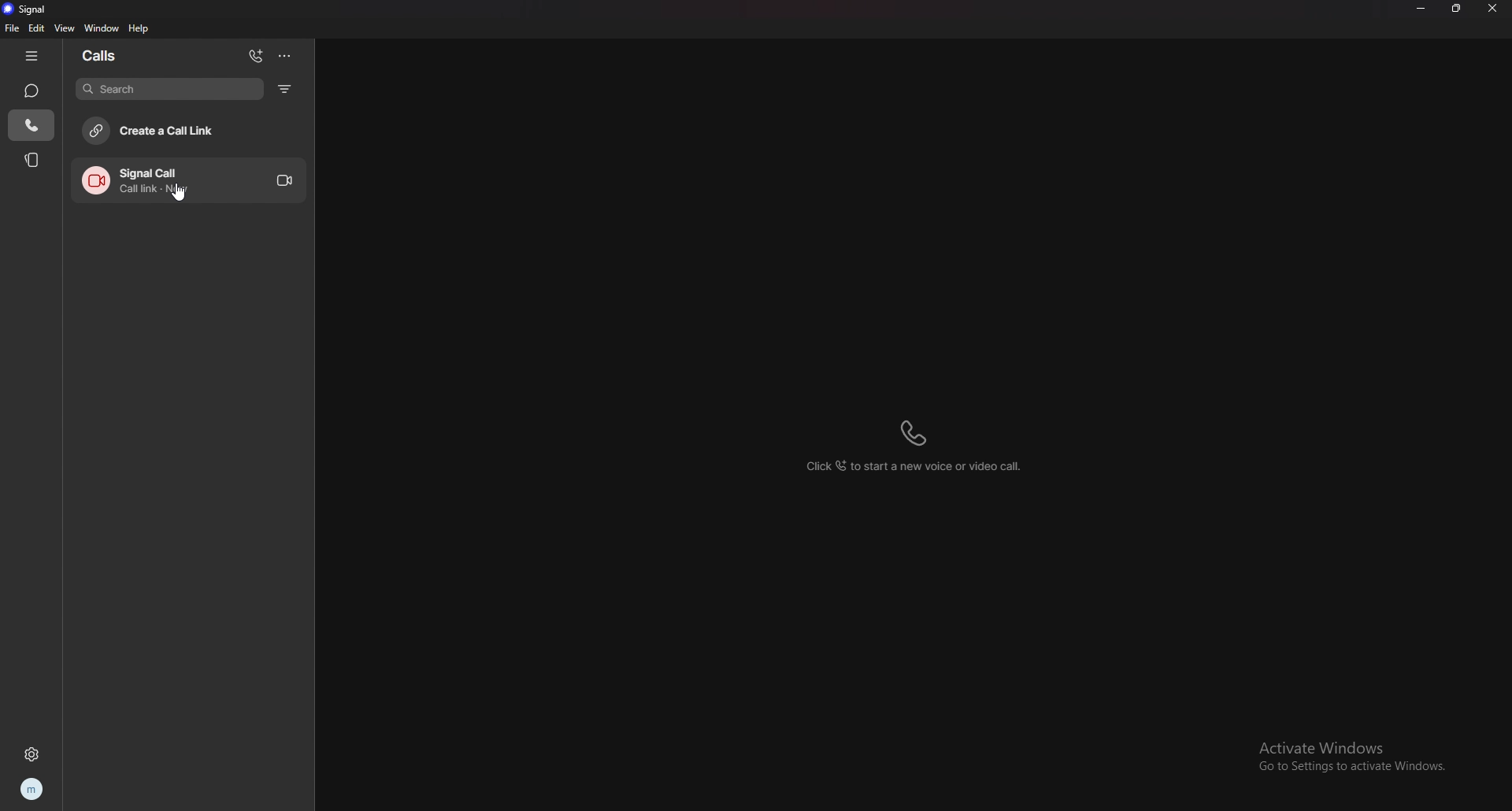 This screenshot has width=1512, height=811. What do you see at coordinates (32, 55) in the screenshot?
I see `hide tab` at bounding box center [32, 55].